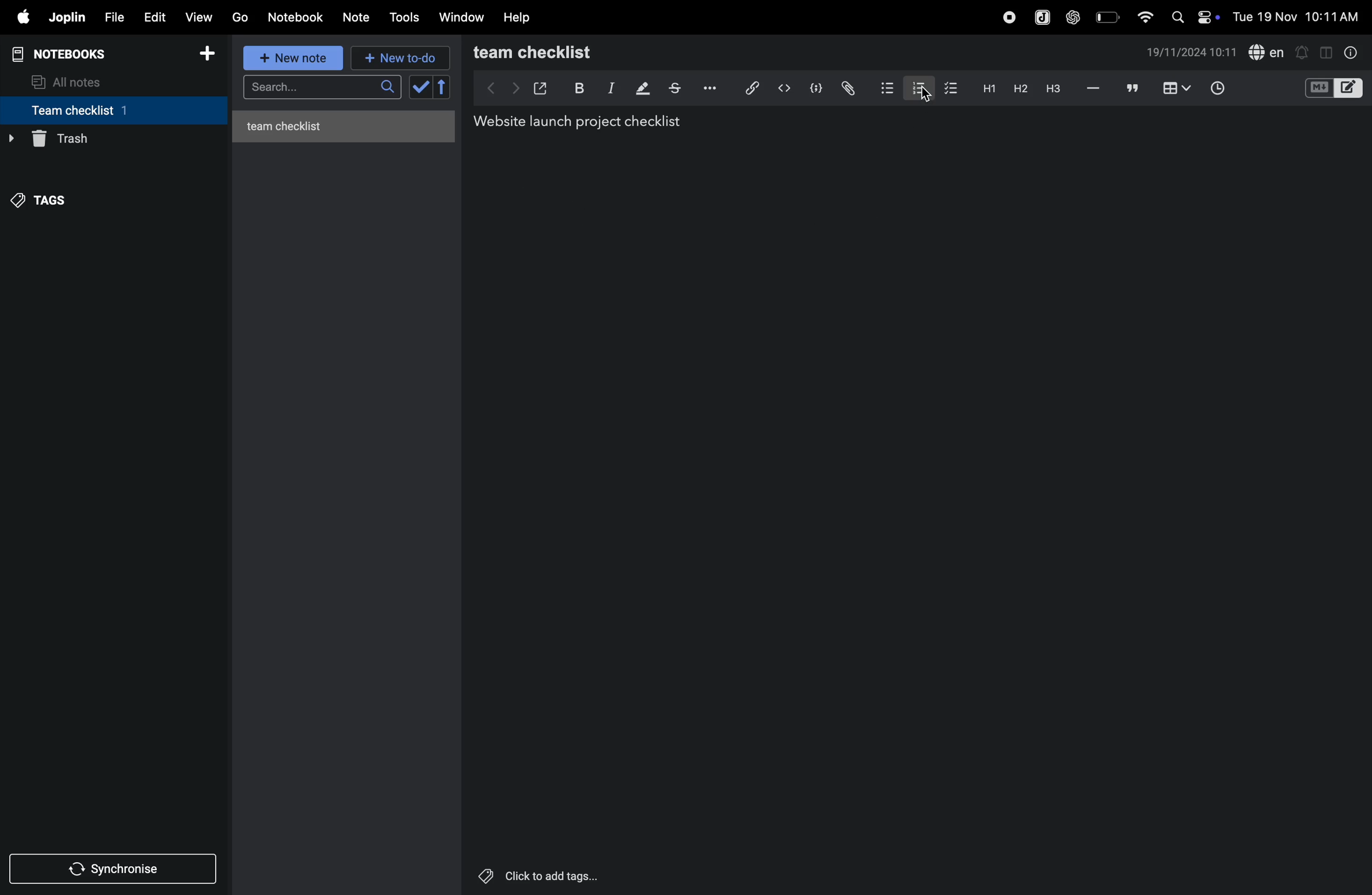  What do you see at coordinates (609, 88) in the screenshot?
I see `itallic` at bounding box center [609, 88].